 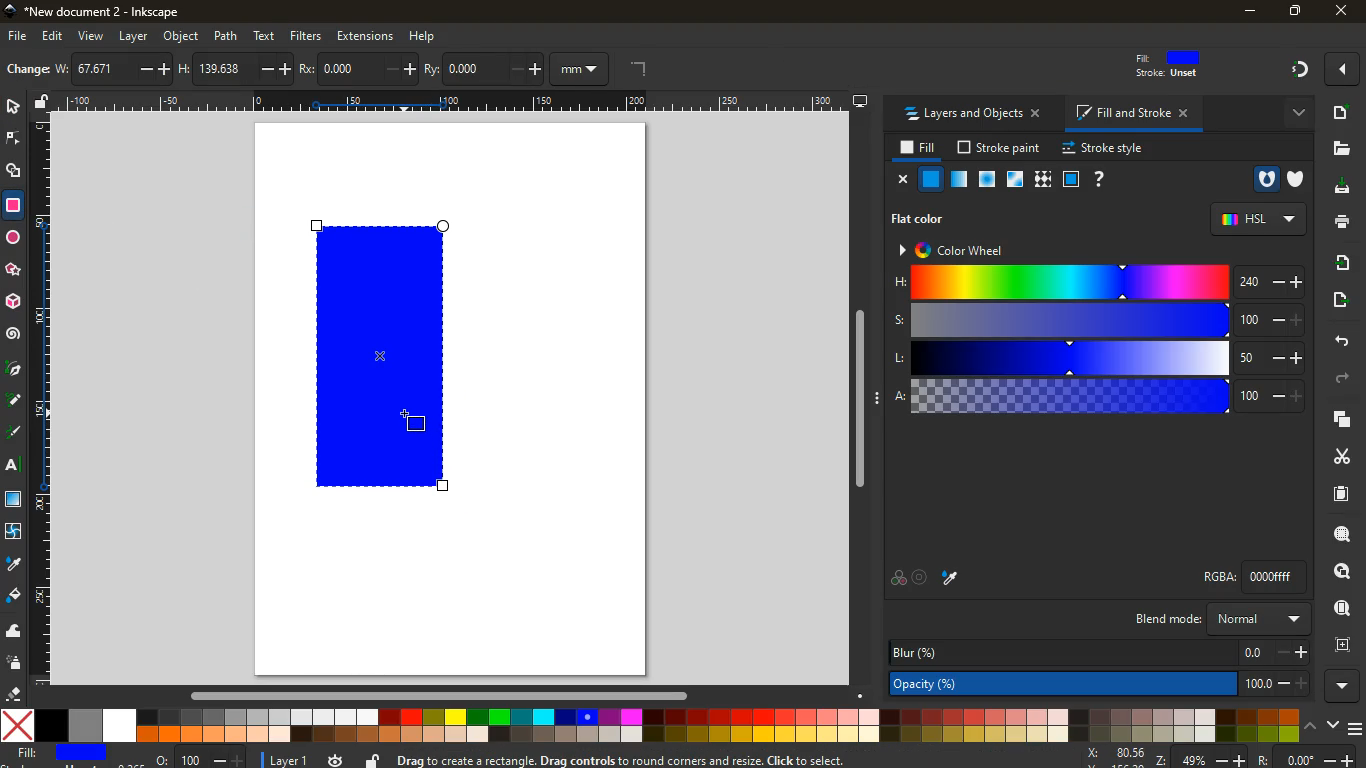 I want to click on find, so click(x=1341, y=608).